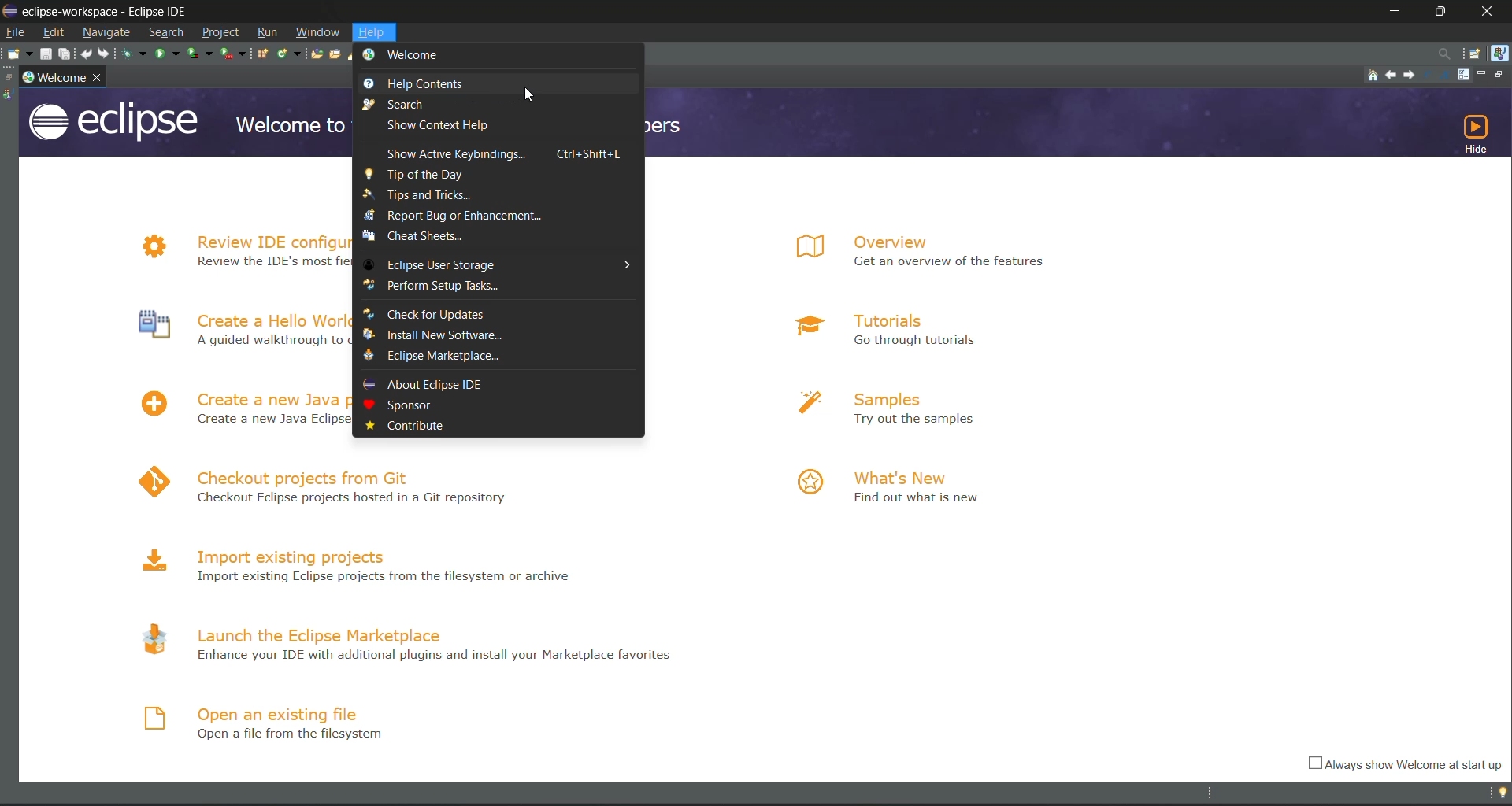 This screenshot has height=806, width=1512. What do you see at coordinates (457, 215) in the screenshot?
I see `report bug or enhancement` at bounding box center [457, 215].